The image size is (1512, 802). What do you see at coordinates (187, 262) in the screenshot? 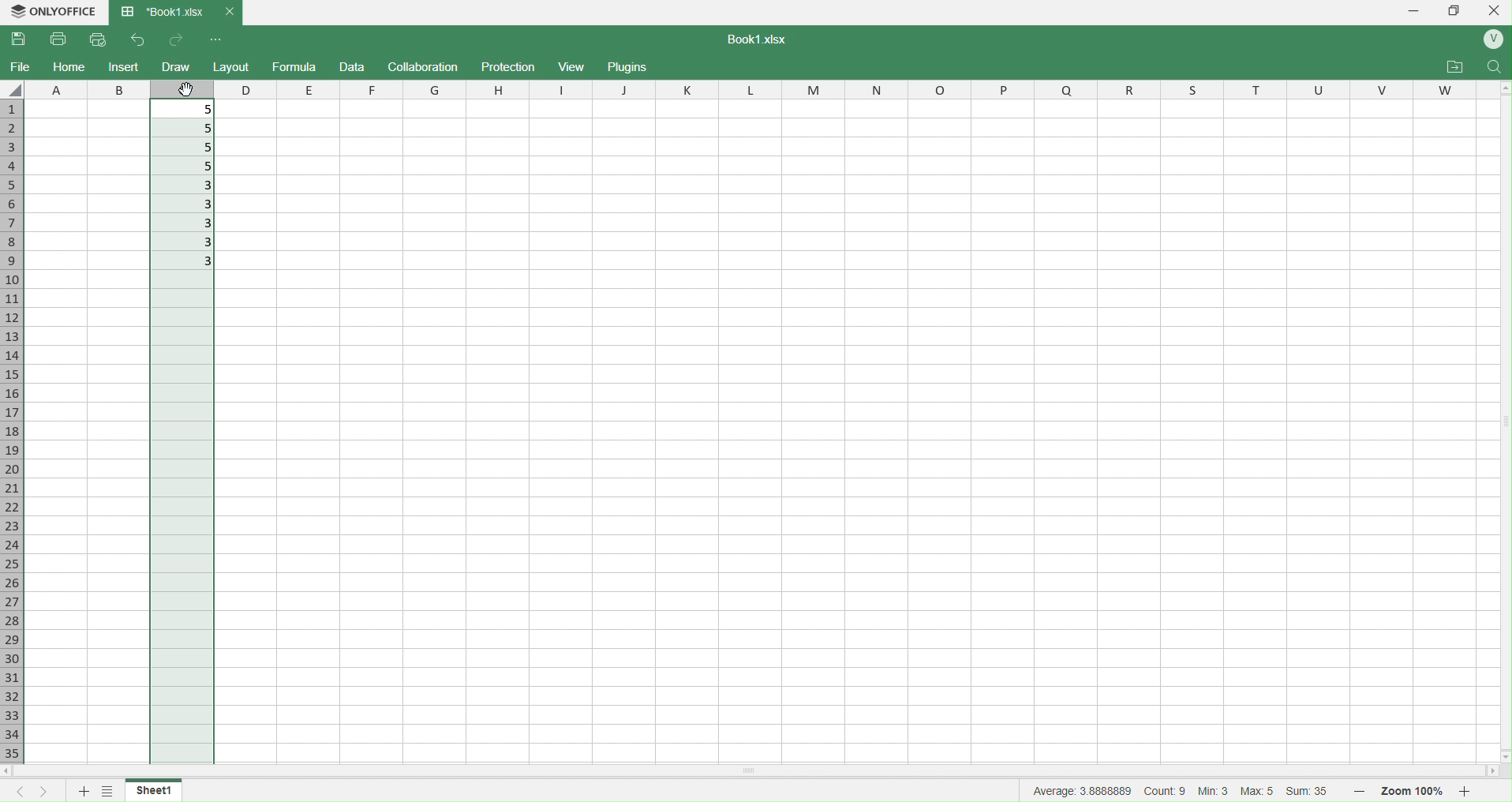
I see `3` at bounding box center [187, 262].